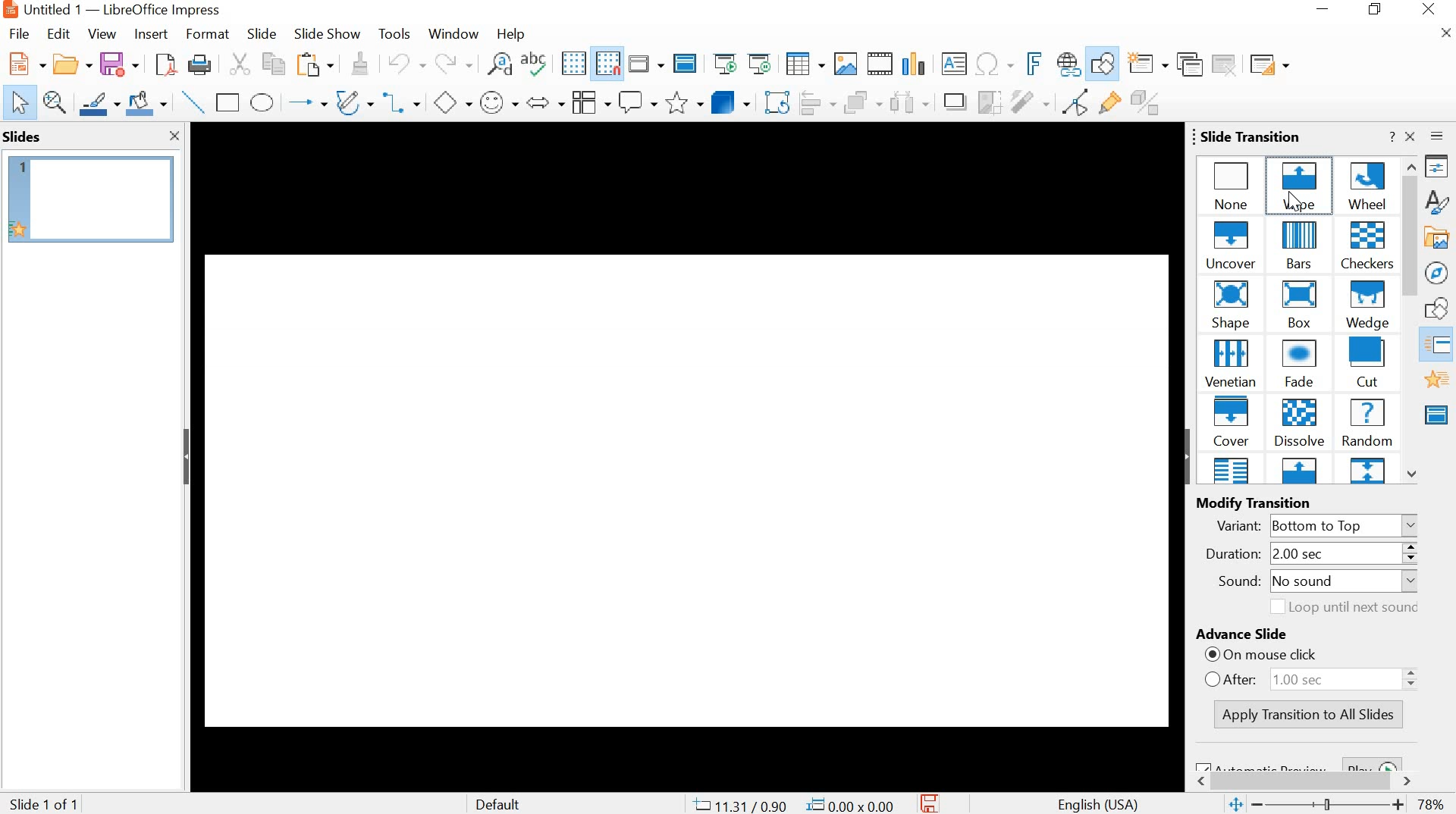 The image size is (1456, 814). What do you see at coordinates (1303, 778) in the screenshot?
I see `scrollbar` at bounding box center [1303, 778].